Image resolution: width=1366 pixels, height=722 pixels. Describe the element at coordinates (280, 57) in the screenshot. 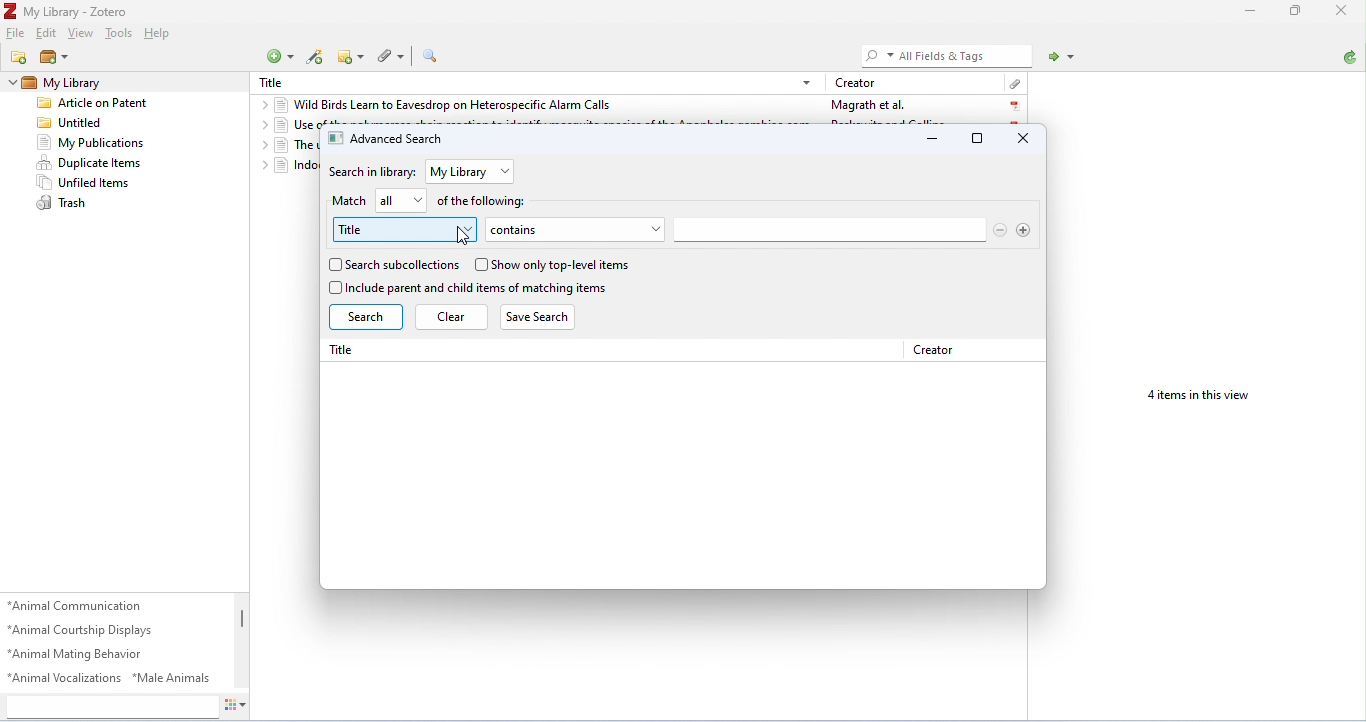

I see `new item` at that location.